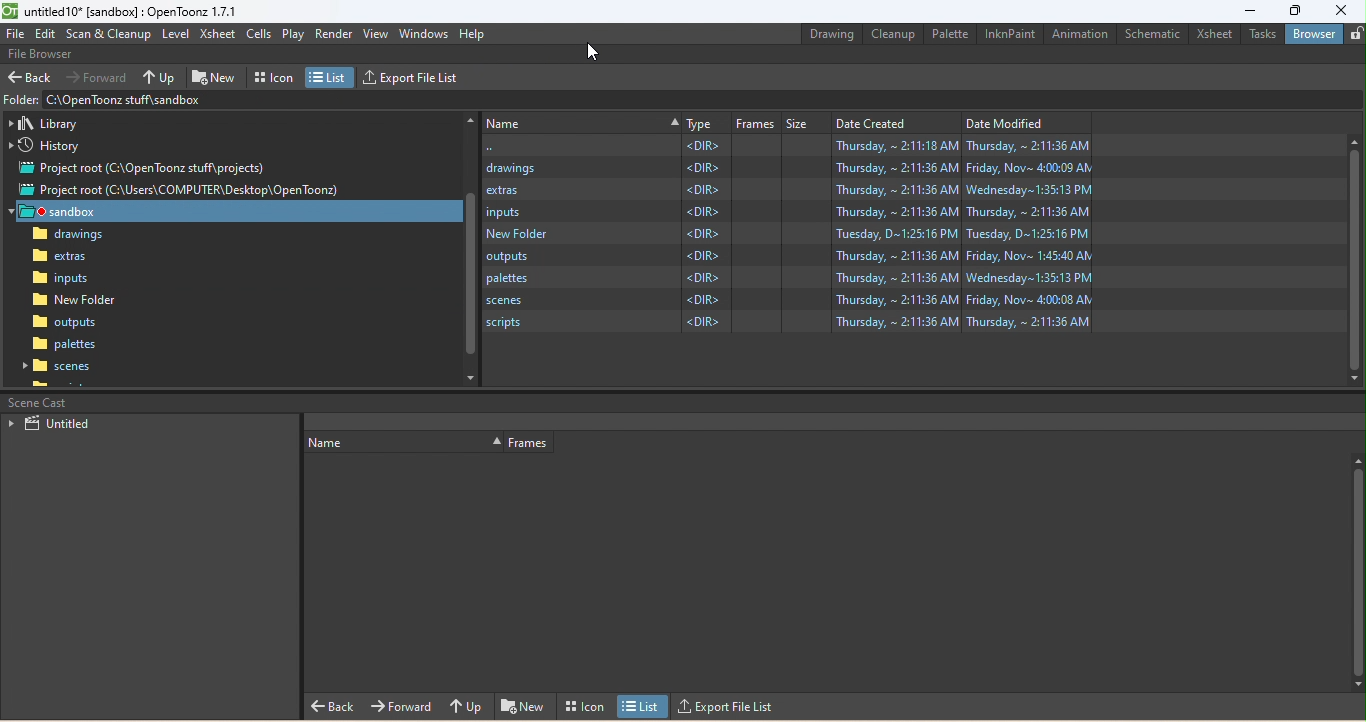  Describe the element at coordinates (1353, 256) in the screenshot. I see `vertical scroll bar` at that location.